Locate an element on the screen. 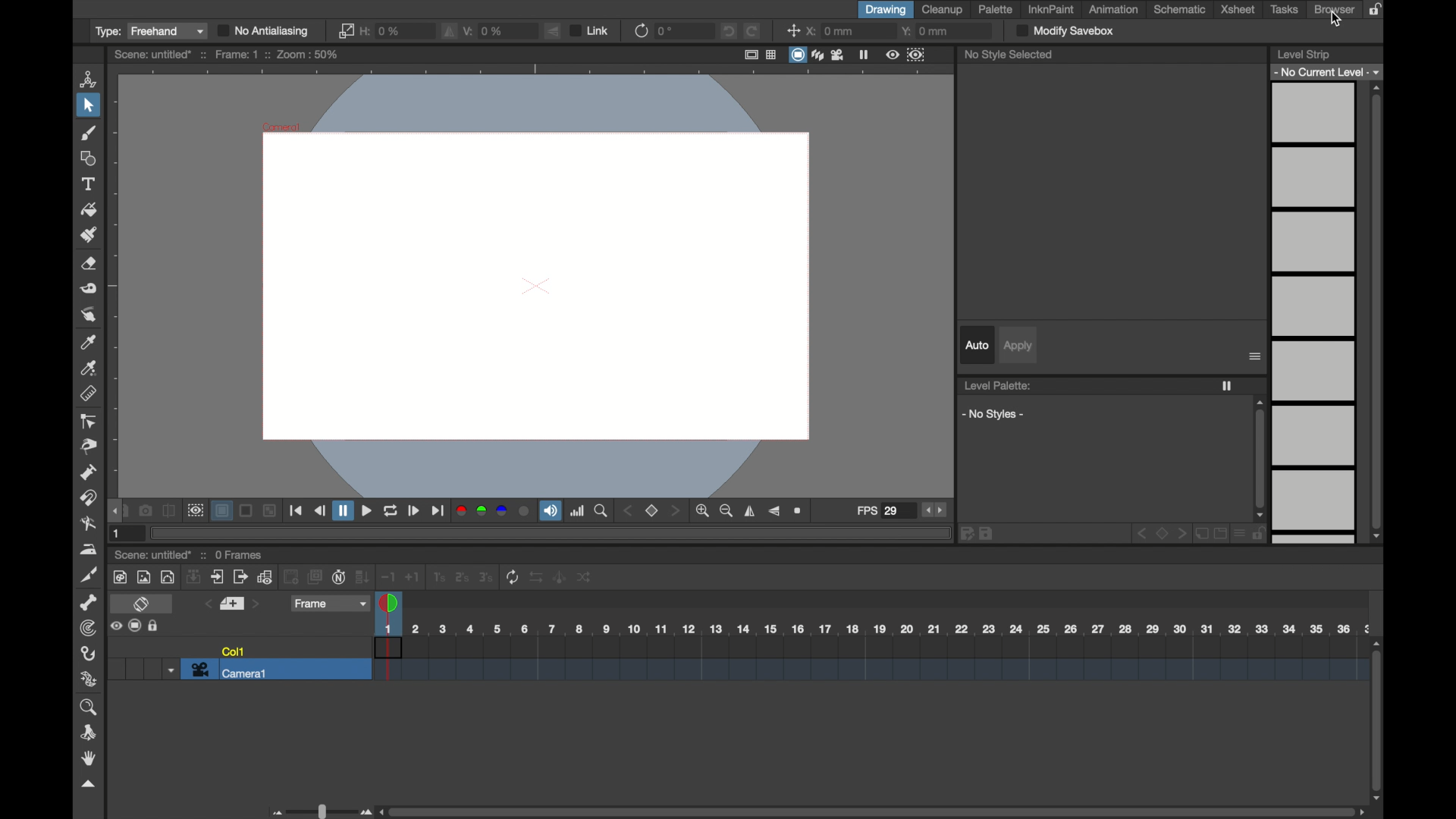 The image size is (1456, 819). animation is located at coordinates (1115, 9).